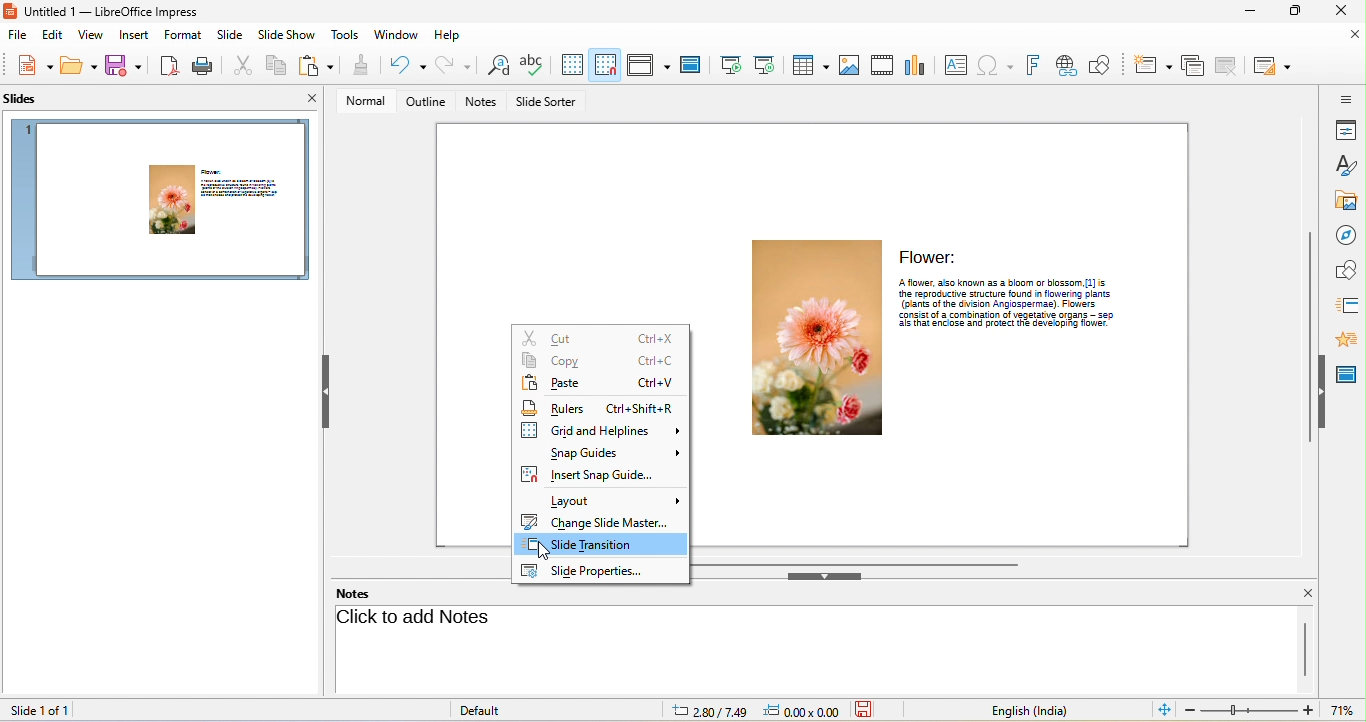  Describe the element at coordinates (79, 68) in the screenshot. I see `save` at that location.